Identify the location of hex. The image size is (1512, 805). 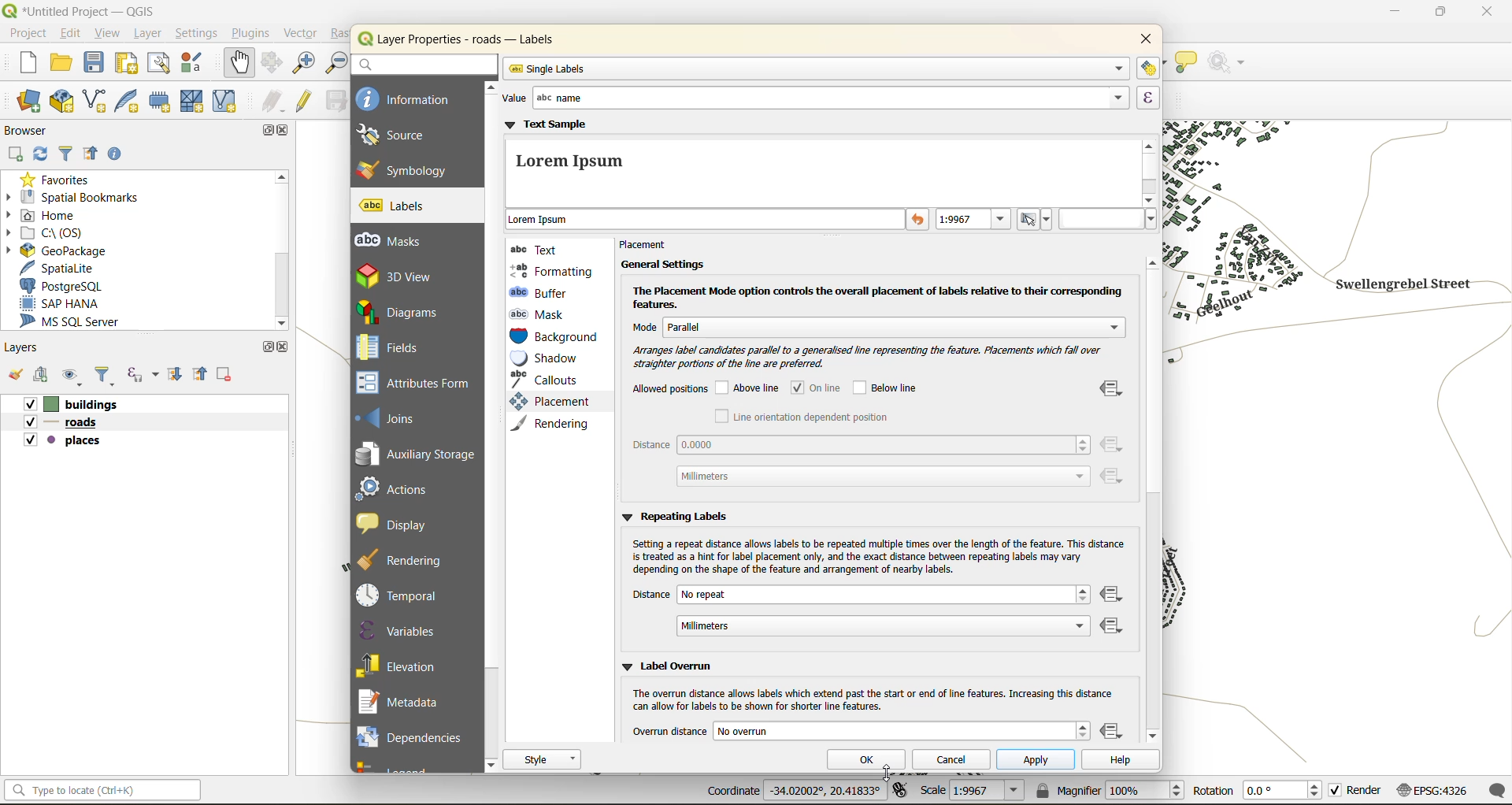
(1108, 219).